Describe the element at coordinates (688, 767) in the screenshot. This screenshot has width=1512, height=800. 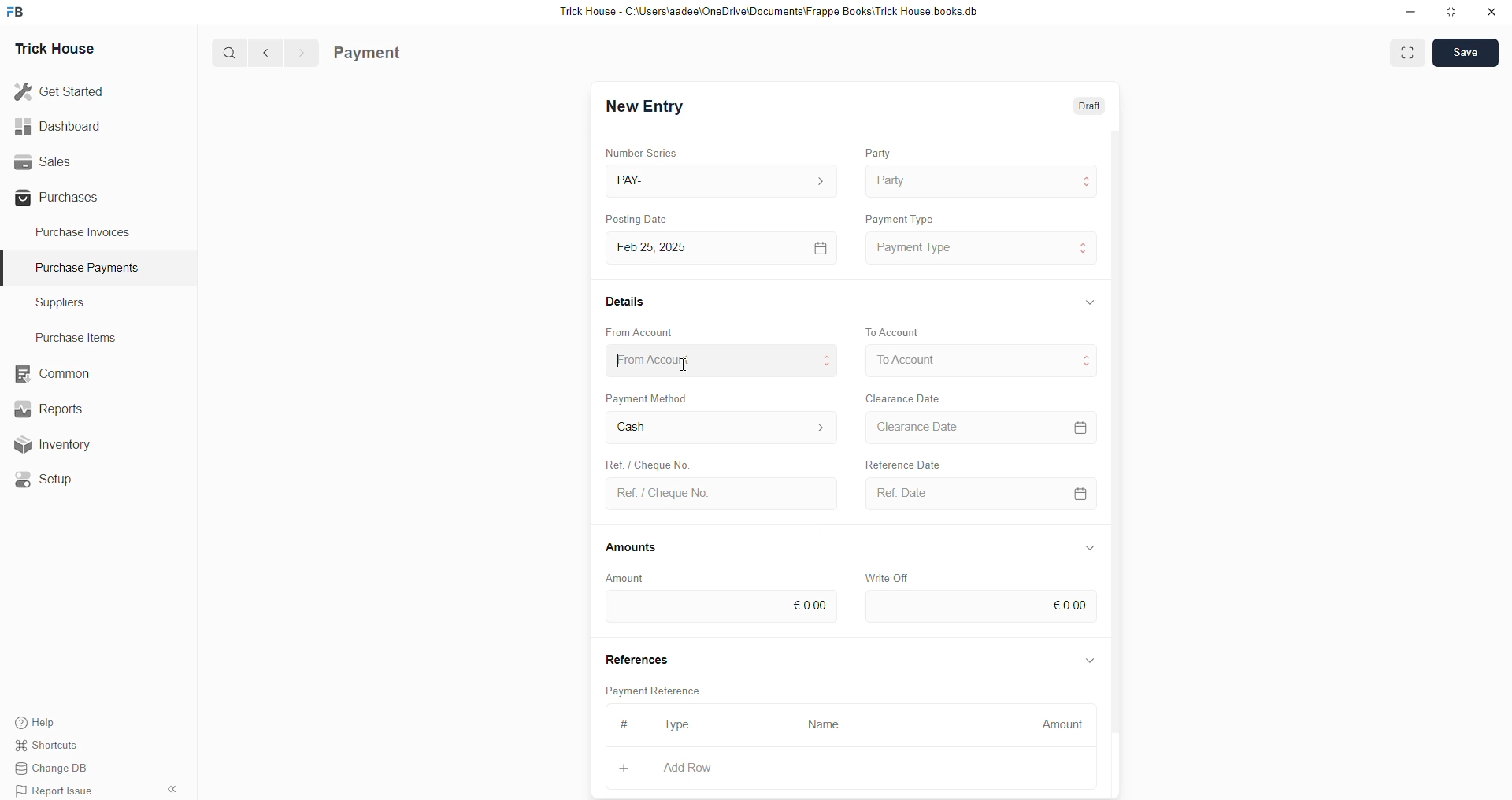
I see `Add Row` at that location.